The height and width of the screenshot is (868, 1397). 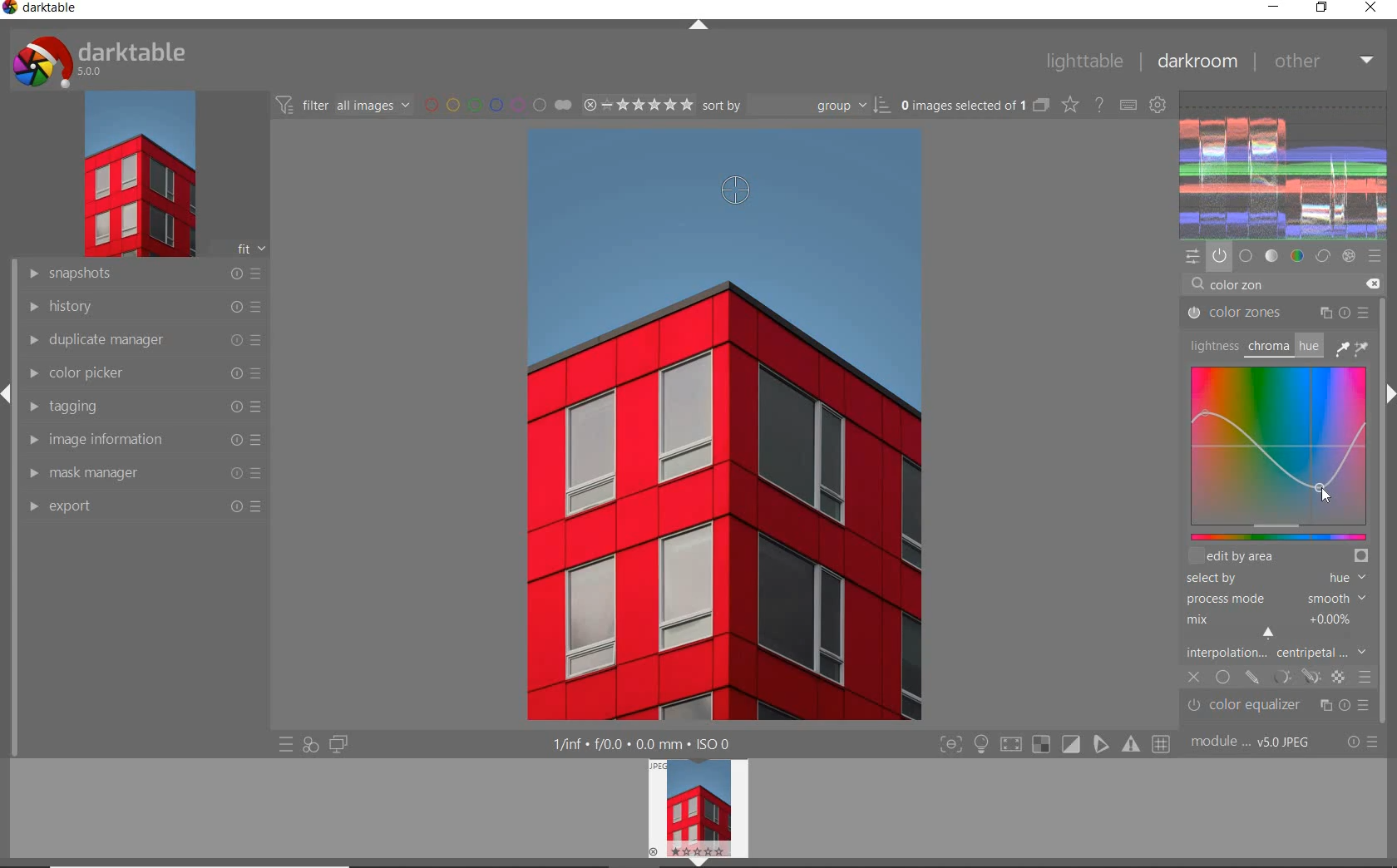 What do you see at coordinates (1307, 345) in the screenshot?
I see `HUE` at bounding box center [1307, 345].